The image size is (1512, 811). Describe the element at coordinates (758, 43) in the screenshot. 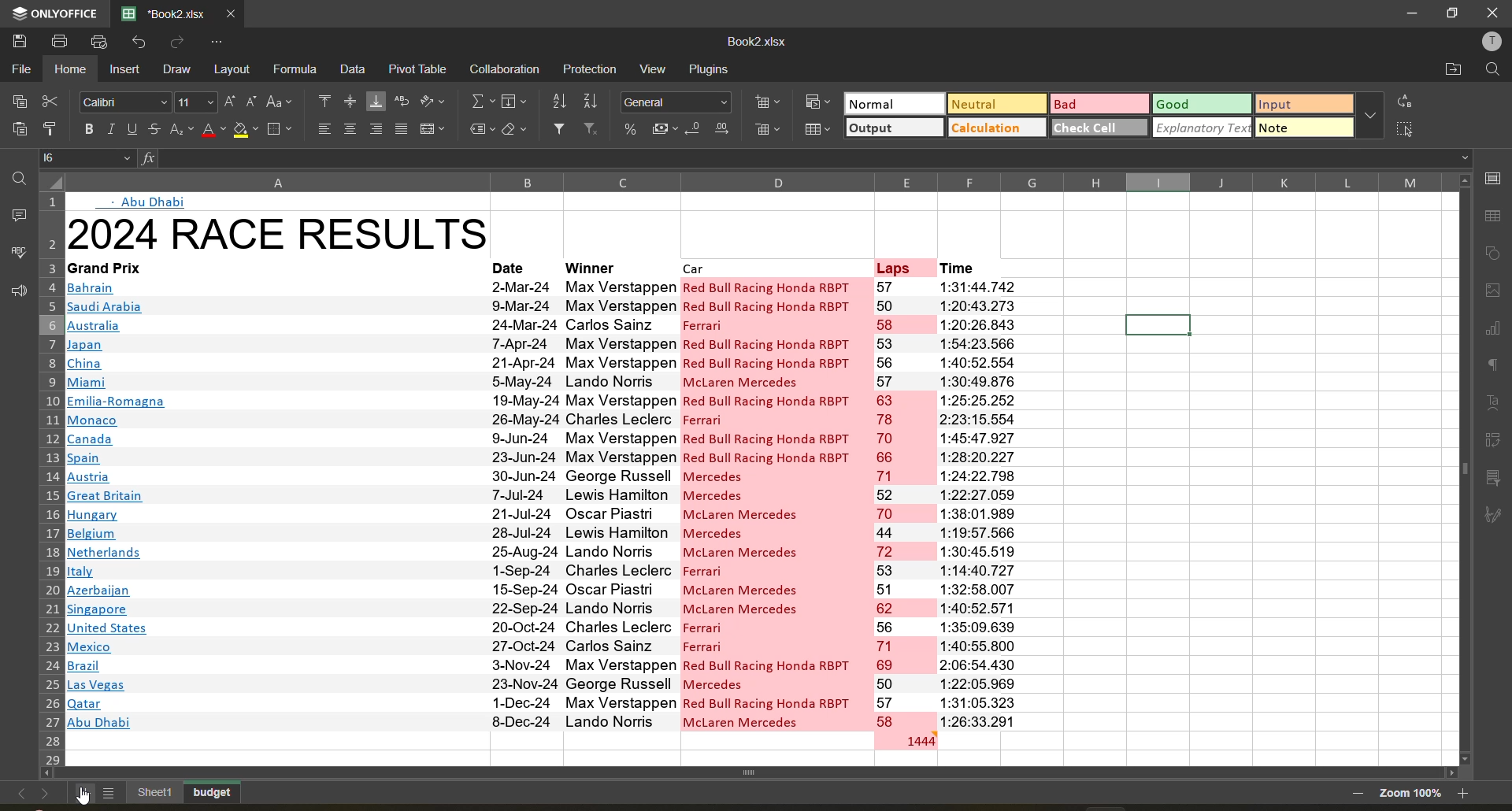

I see `file name` at that location.